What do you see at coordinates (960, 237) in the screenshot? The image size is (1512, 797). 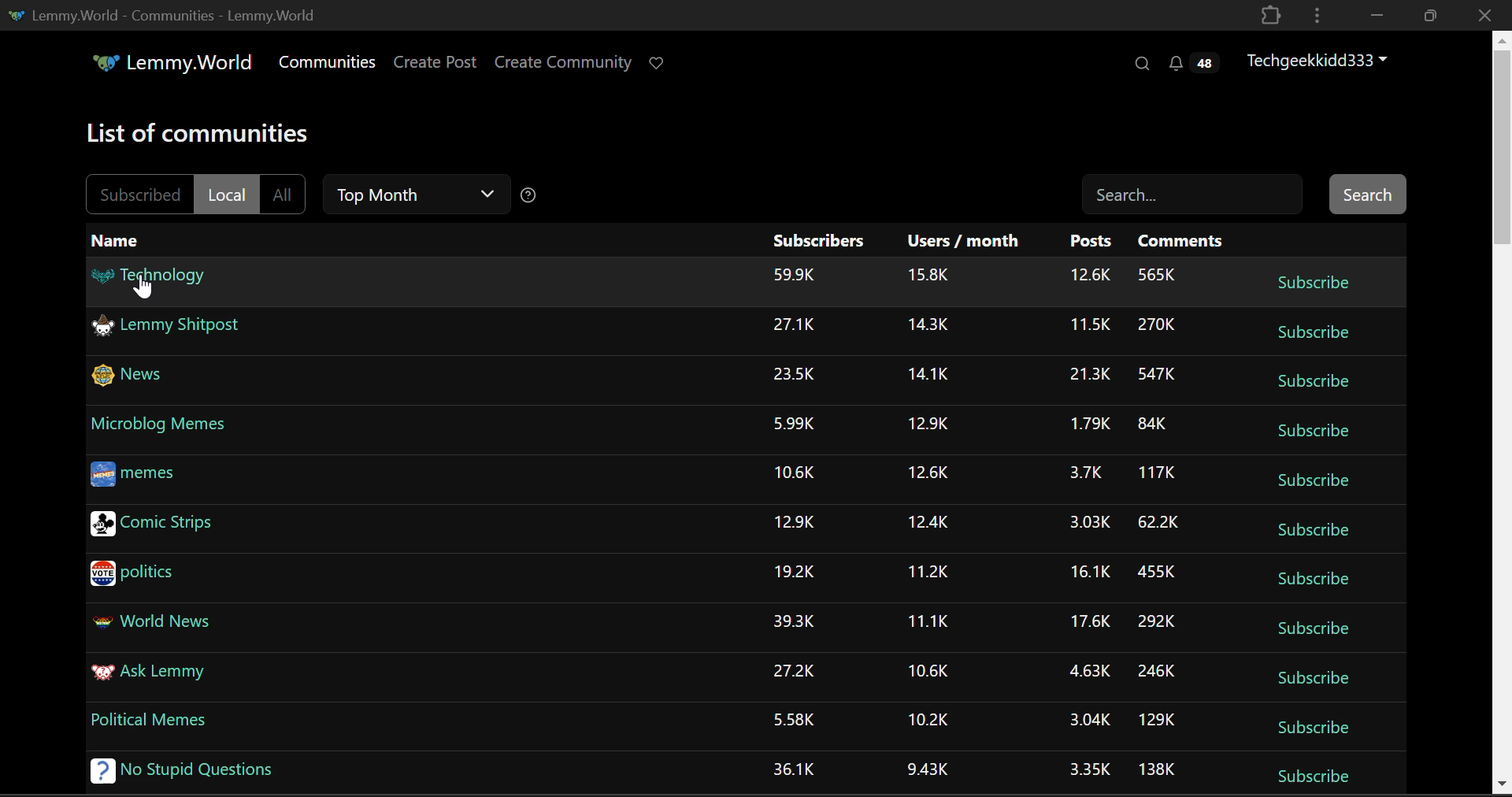 I see `Users/month Column Heading` at bounding box center [960, 237].